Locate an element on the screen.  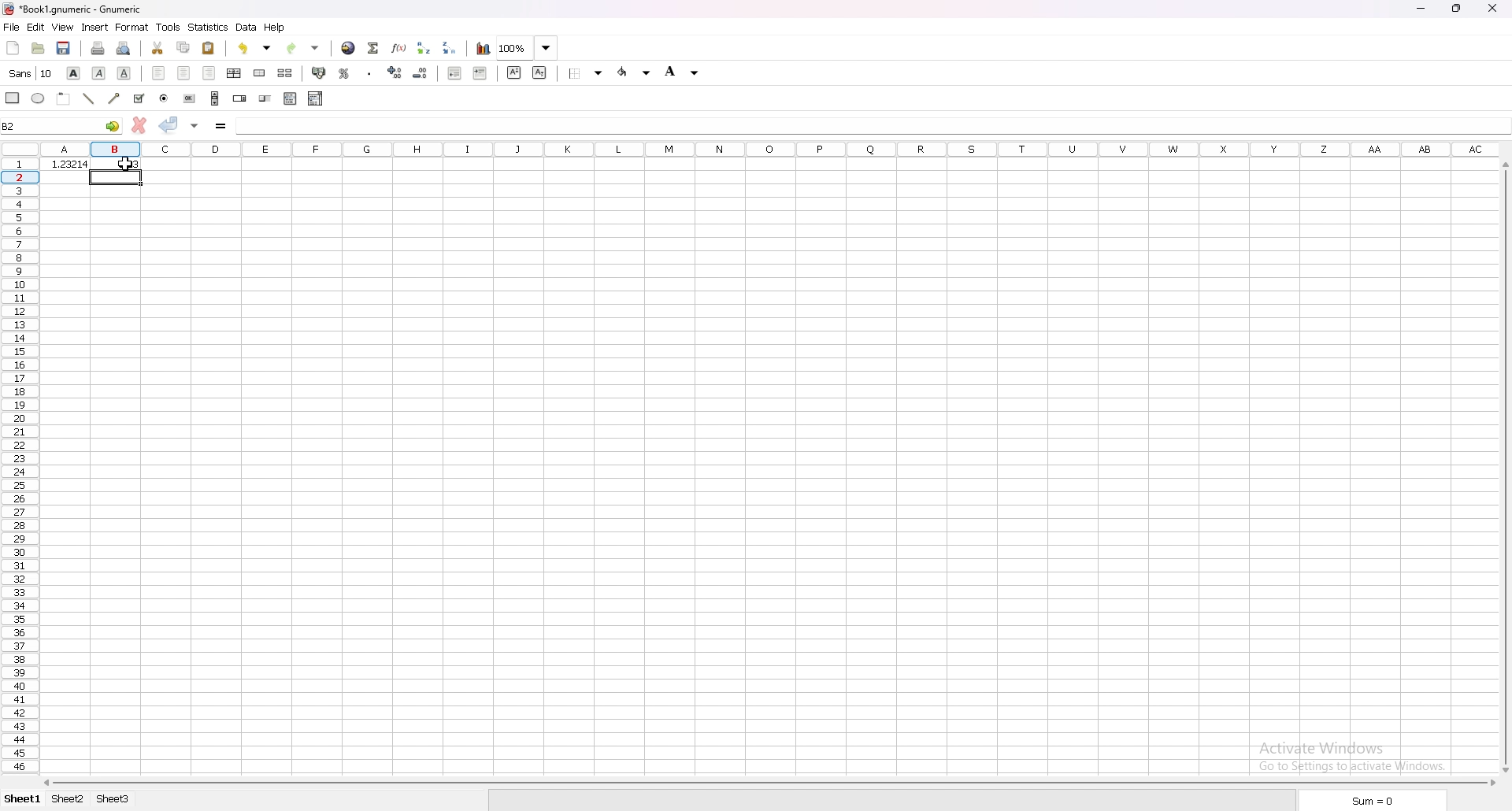
selected cell is located at coordinates (63, 127).